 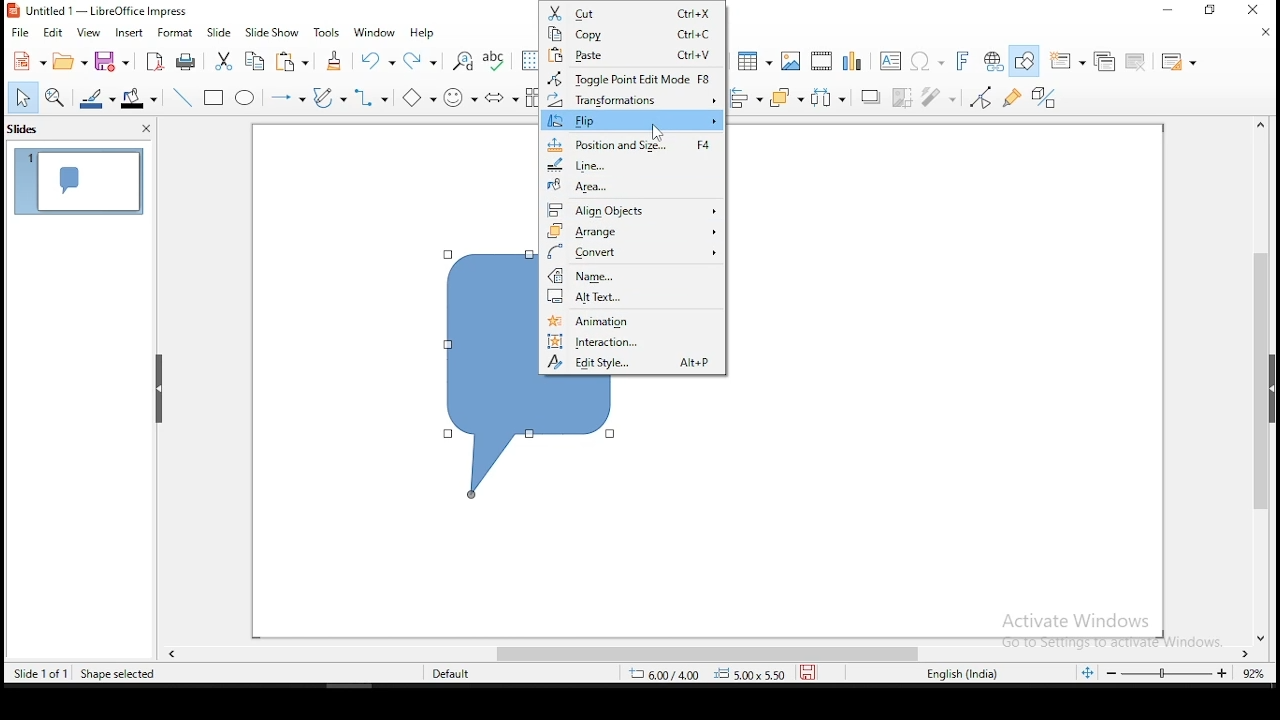 What do you see at coordinates (635, 143) in the screenshot?
I see `position and size` at bounding box center [635, 143].